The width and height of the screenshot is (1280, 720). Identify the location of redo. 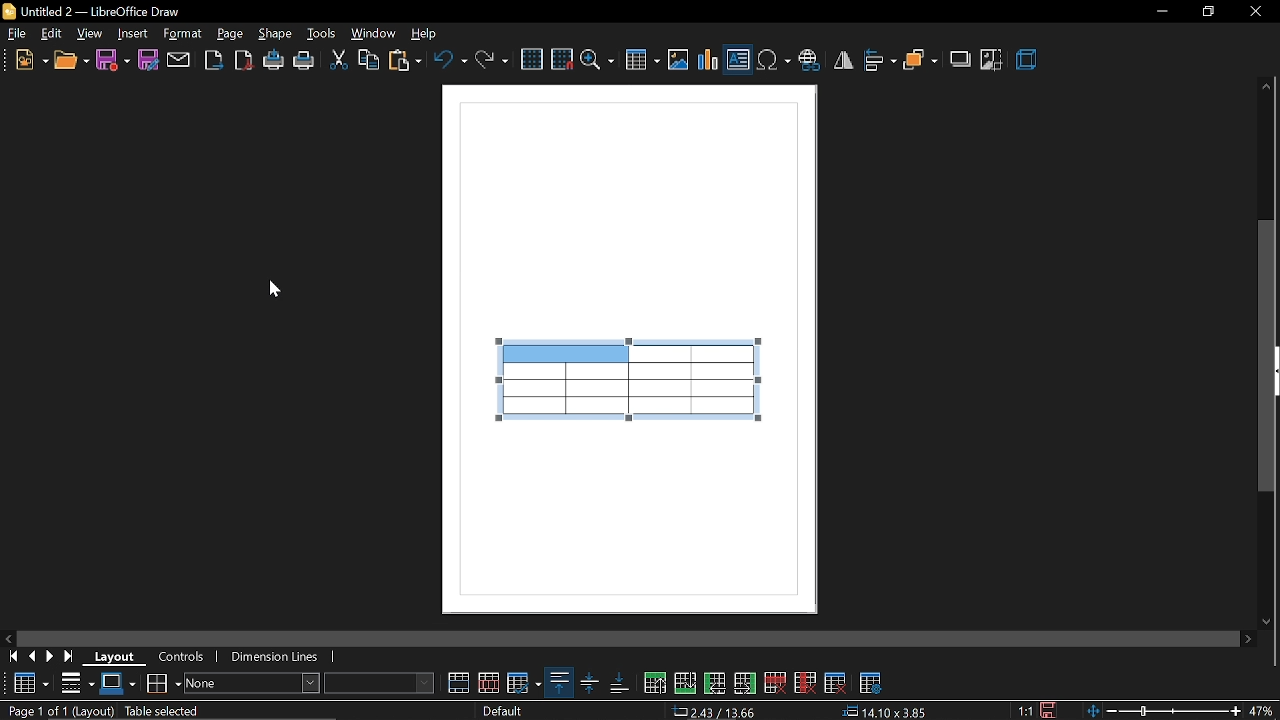
(493, 62).